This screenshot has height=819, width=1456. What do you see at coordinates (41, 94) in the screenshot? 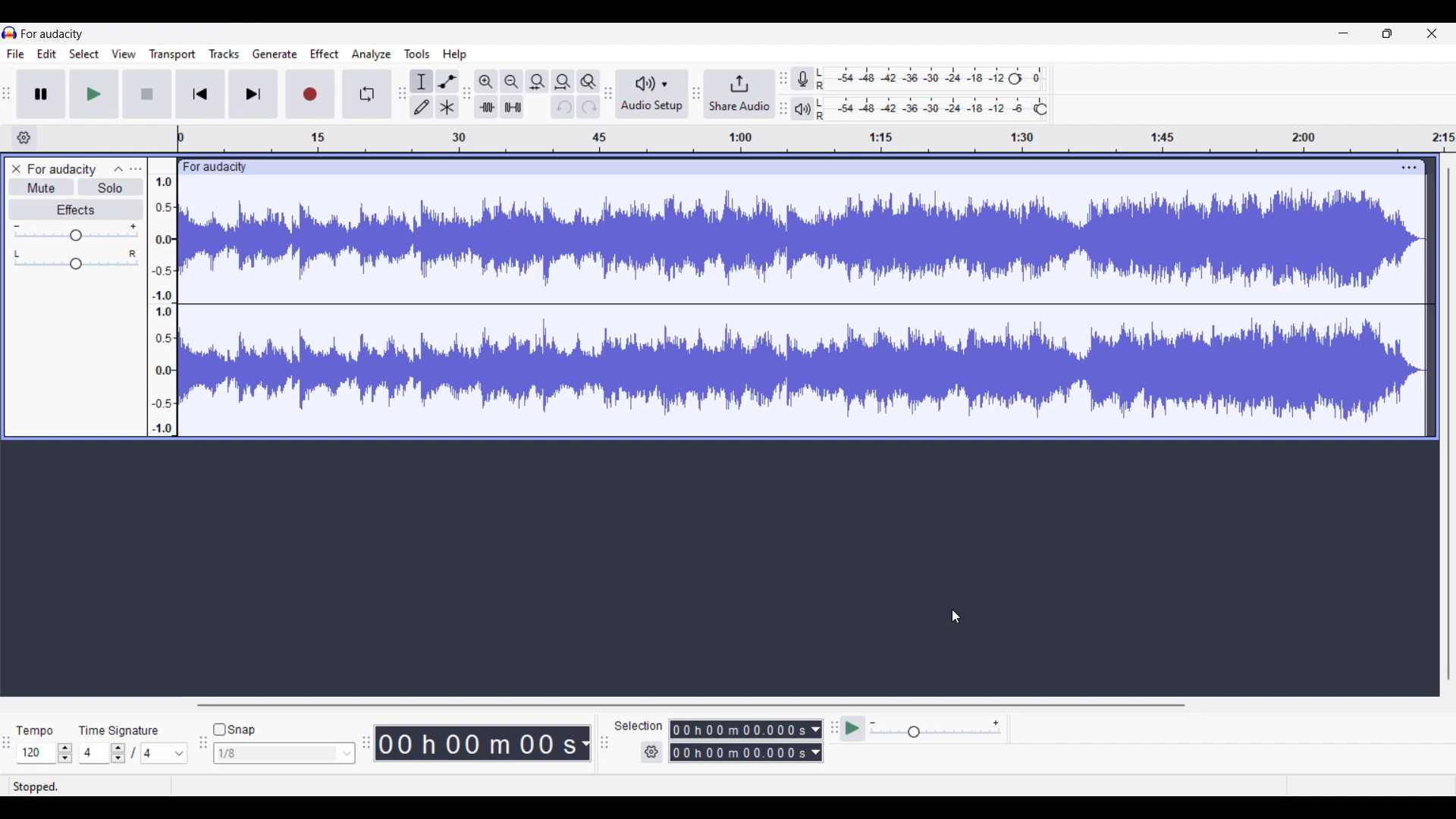
I see `Pause` at bounding box center [41, 94].